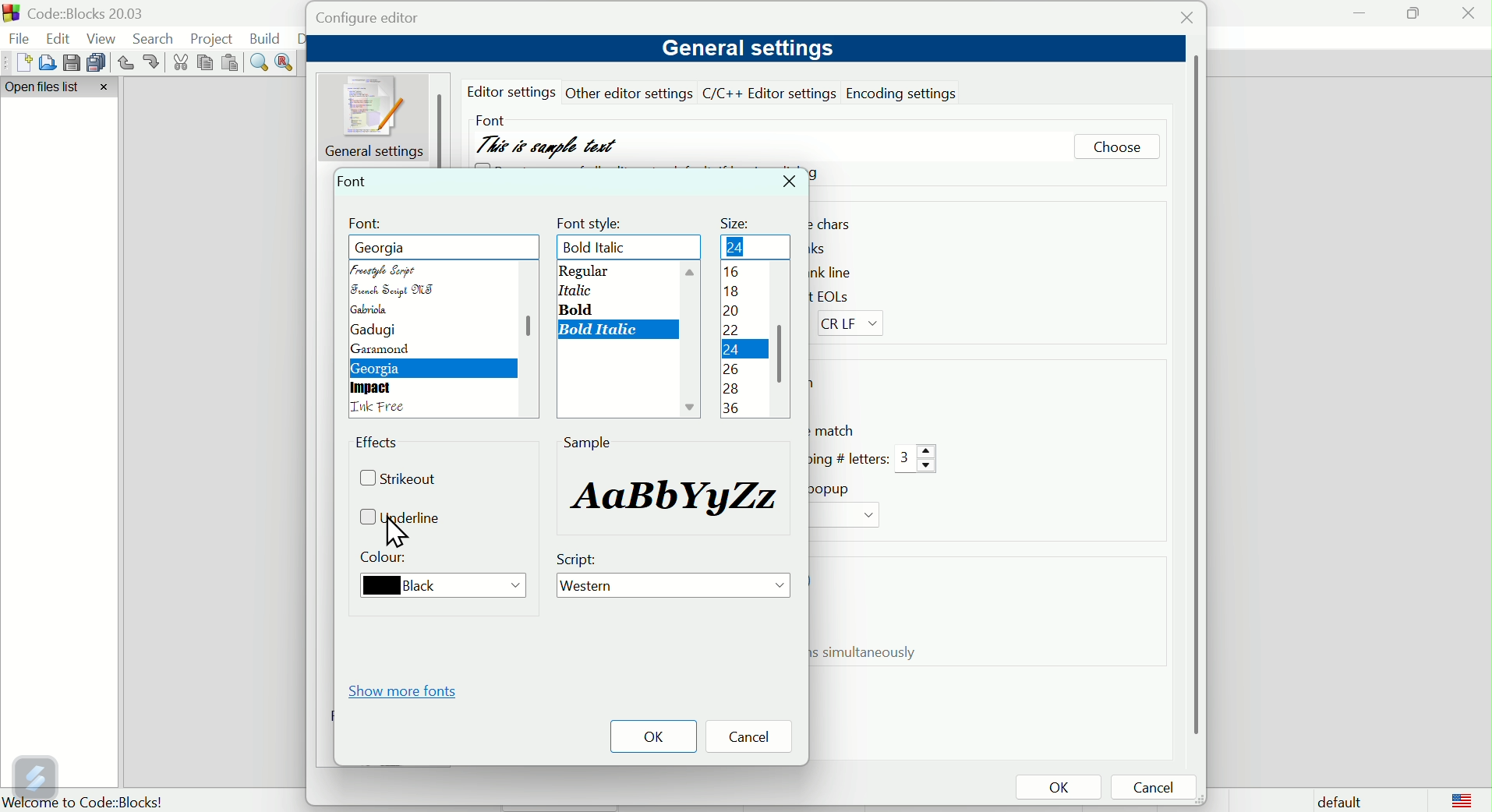 This screenshot has width=1492, height=812. I want to click on 16, so click(741, 246).